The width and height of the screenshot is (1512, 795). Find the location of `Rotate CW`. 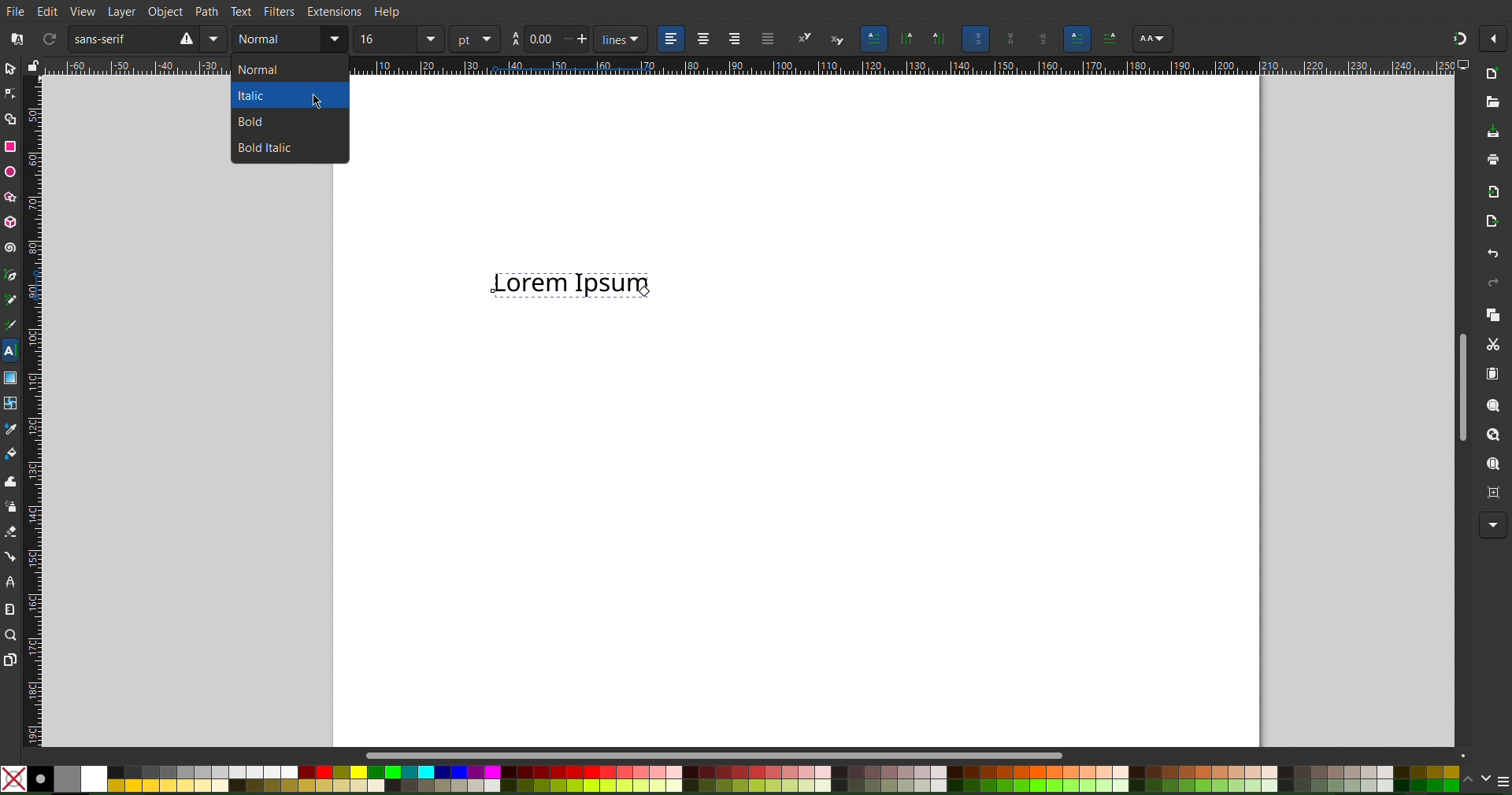

Rotate CW is located at coordinates (183, 39).